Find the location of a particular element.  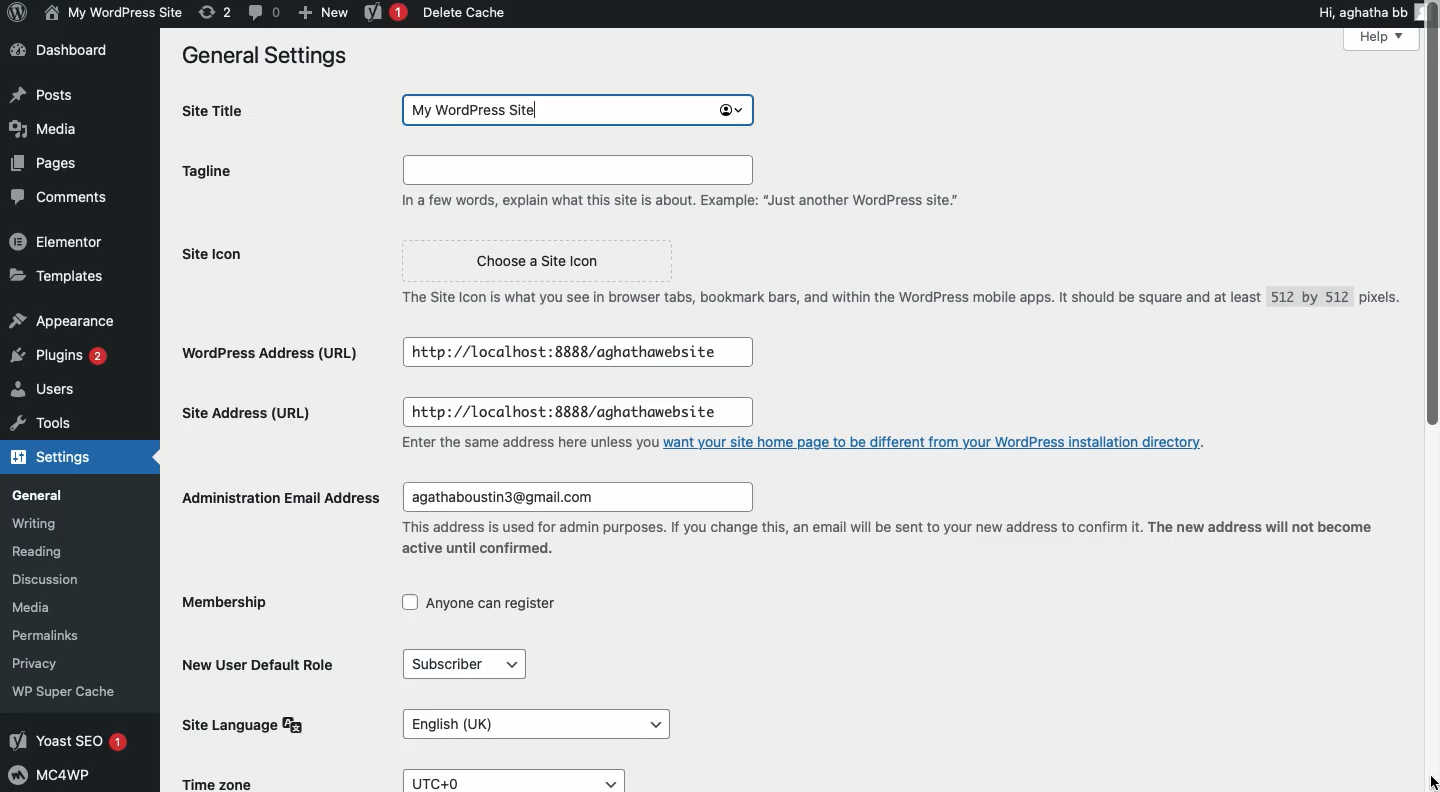

Privacy is located at coordinates (37, 665).